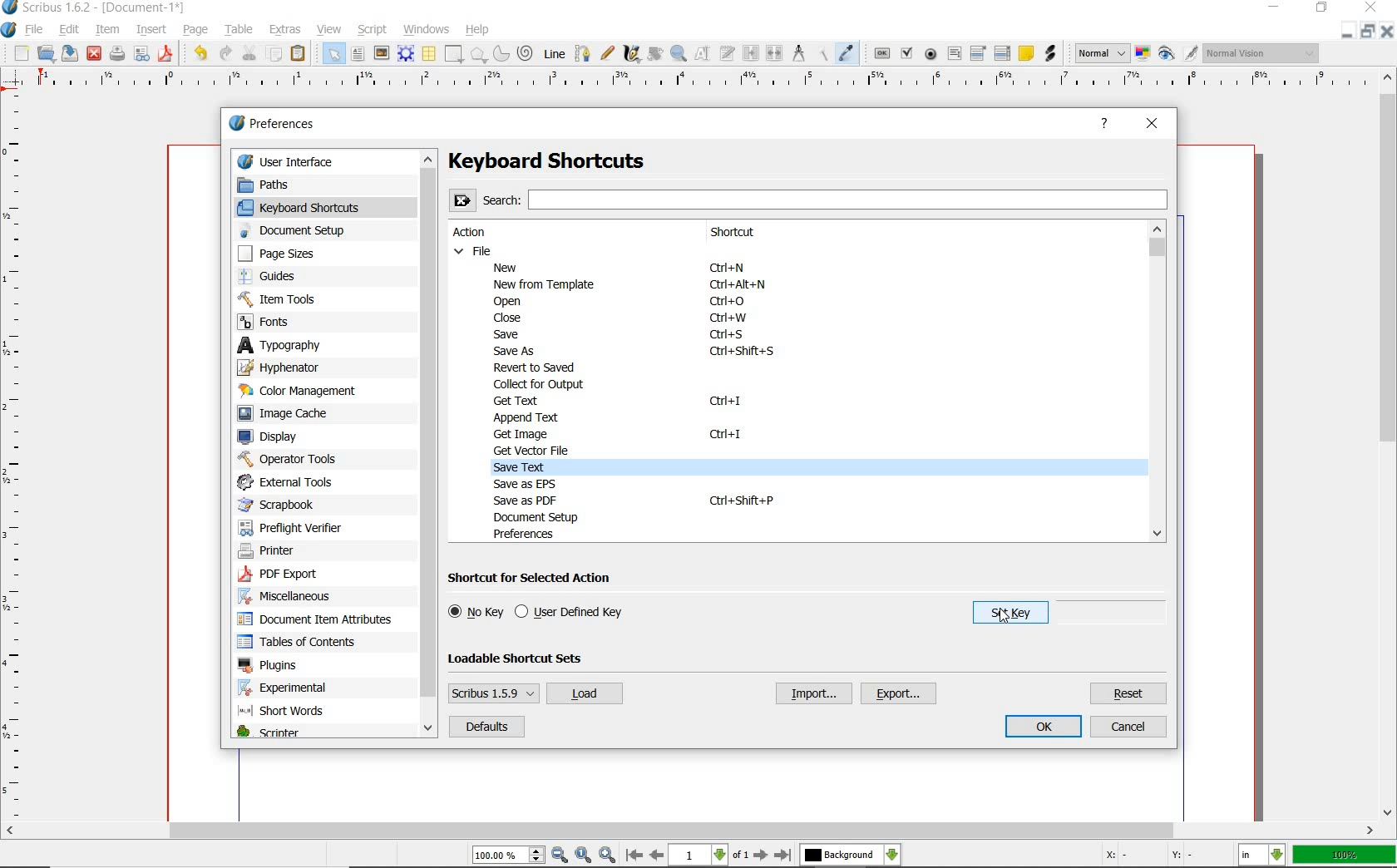 The width and height of the screenshot is (1397, 868). Describe the element at coordinates (292, 599) in the screenshot. I see `miscellaneous` at that location.